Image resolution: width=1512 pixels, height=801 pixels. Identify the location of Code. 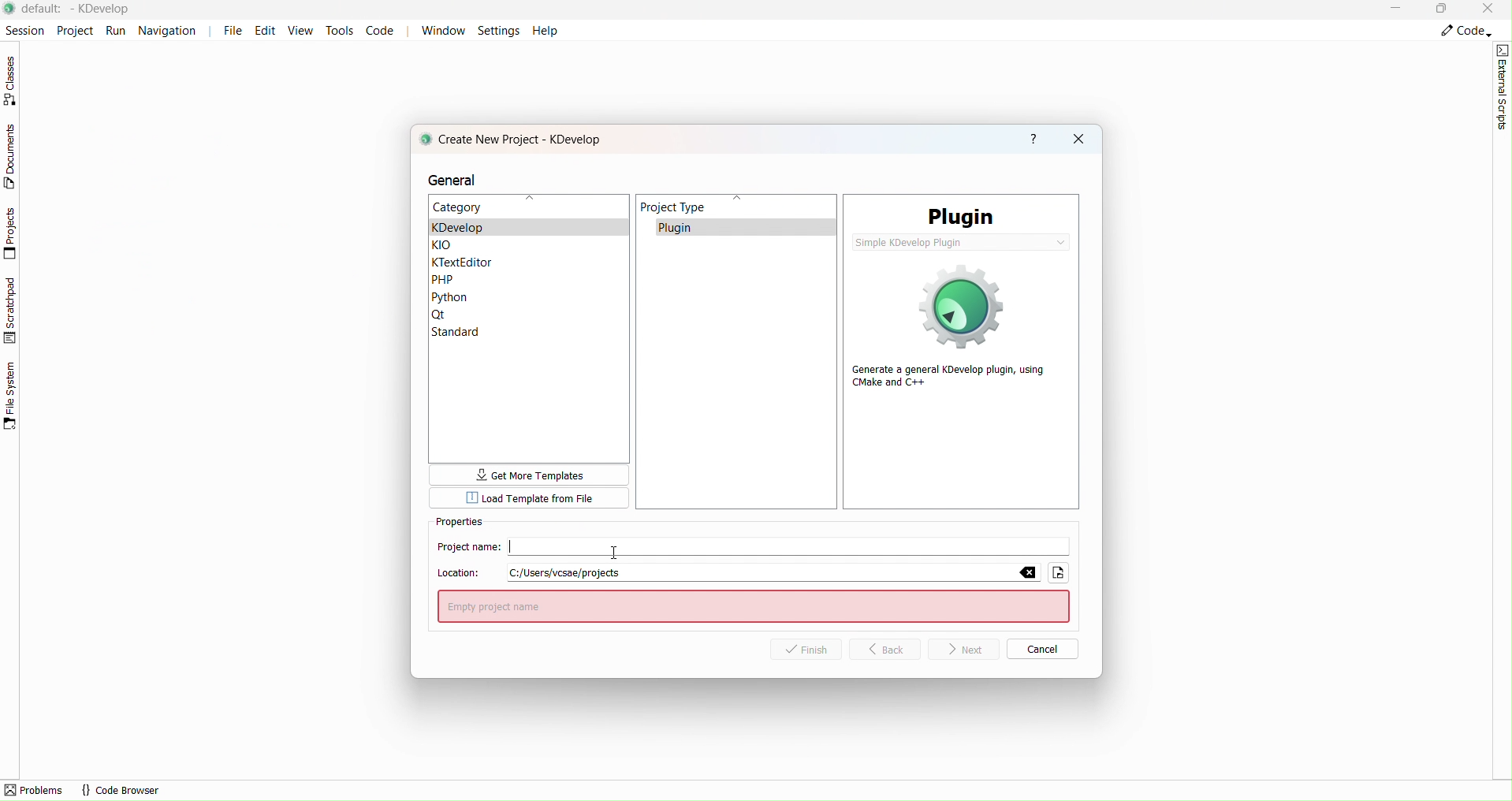
(382, 31).